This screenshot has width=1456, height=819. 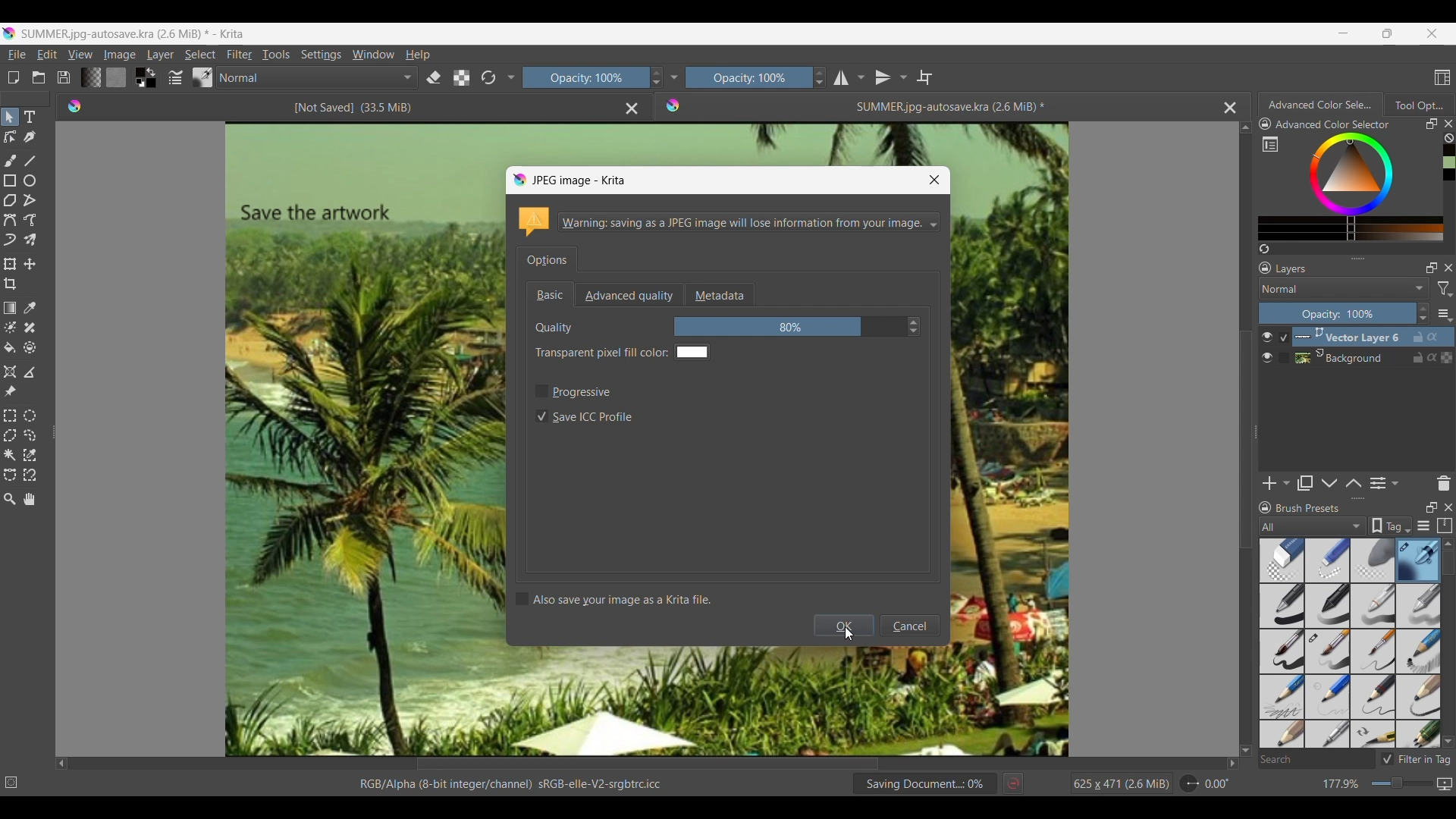 I want to click on Change height of panels attached to this line, so click(x=1332, y=498).